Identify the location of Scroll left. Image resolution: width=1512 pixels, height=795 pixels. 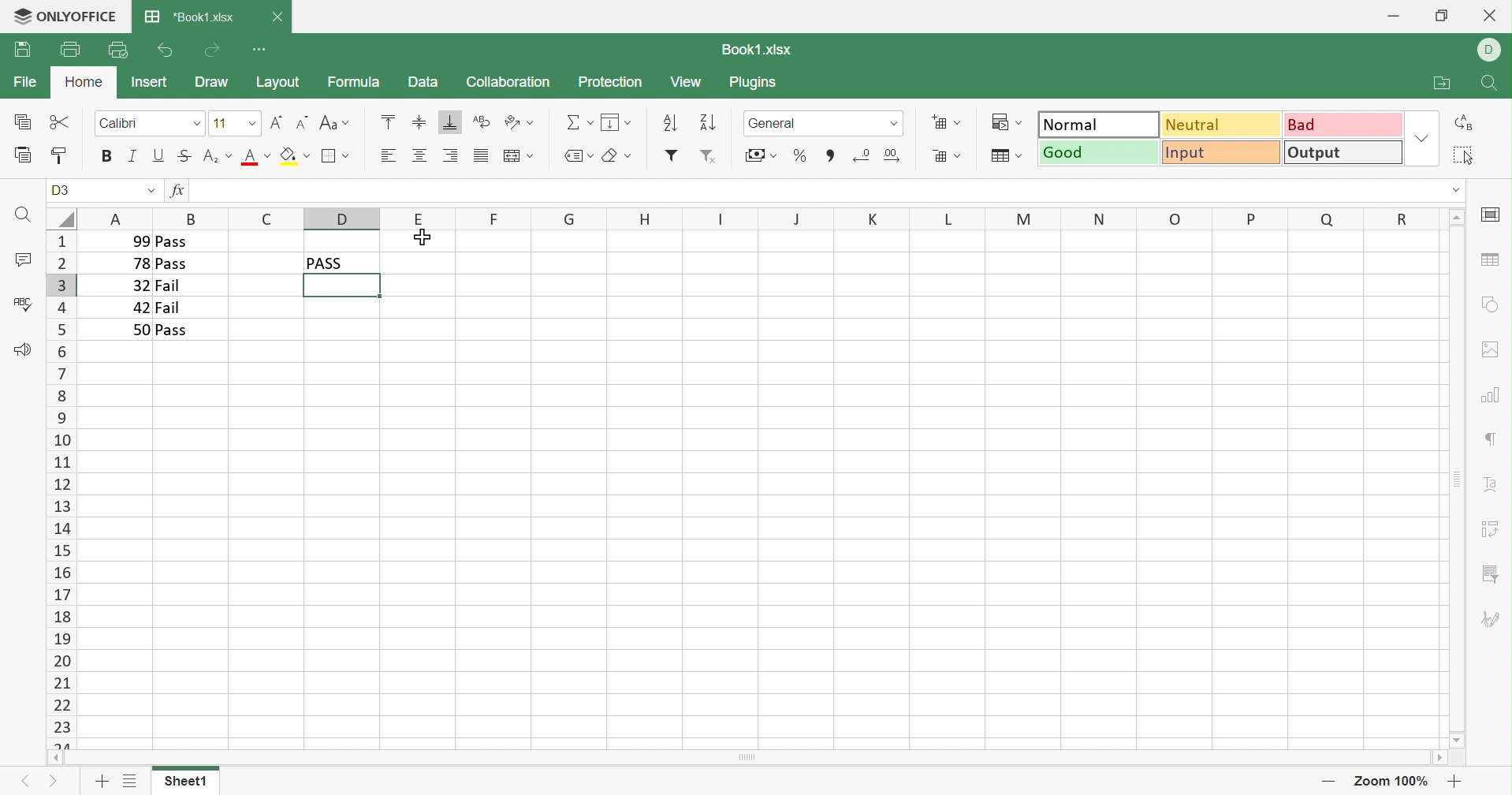
(54, 759).